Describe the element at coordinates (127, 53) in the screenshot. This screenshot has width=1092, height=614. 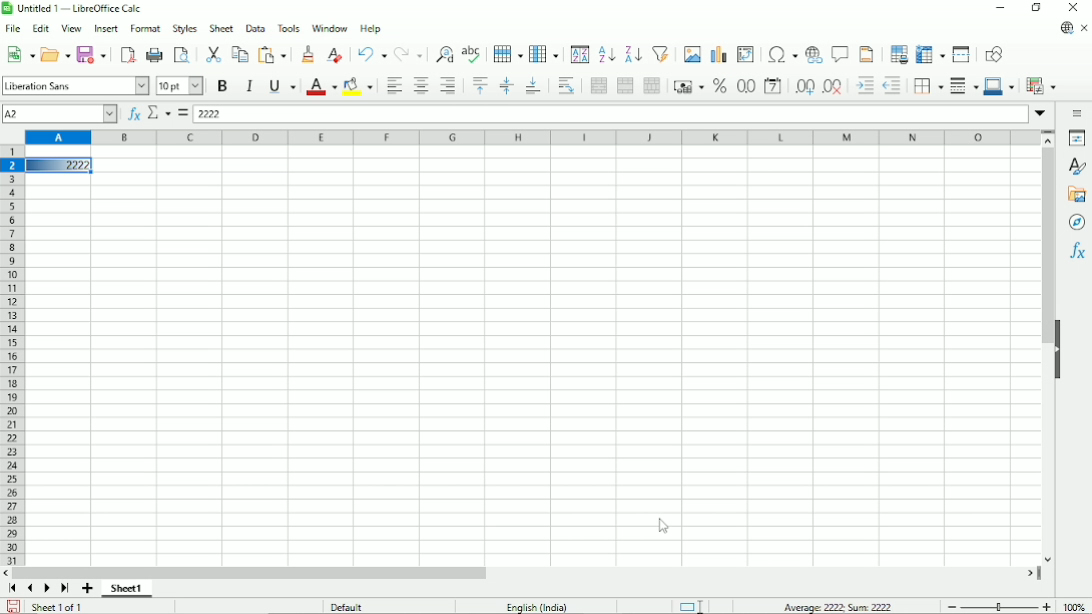
I see `Export directly as PDF` at that location.